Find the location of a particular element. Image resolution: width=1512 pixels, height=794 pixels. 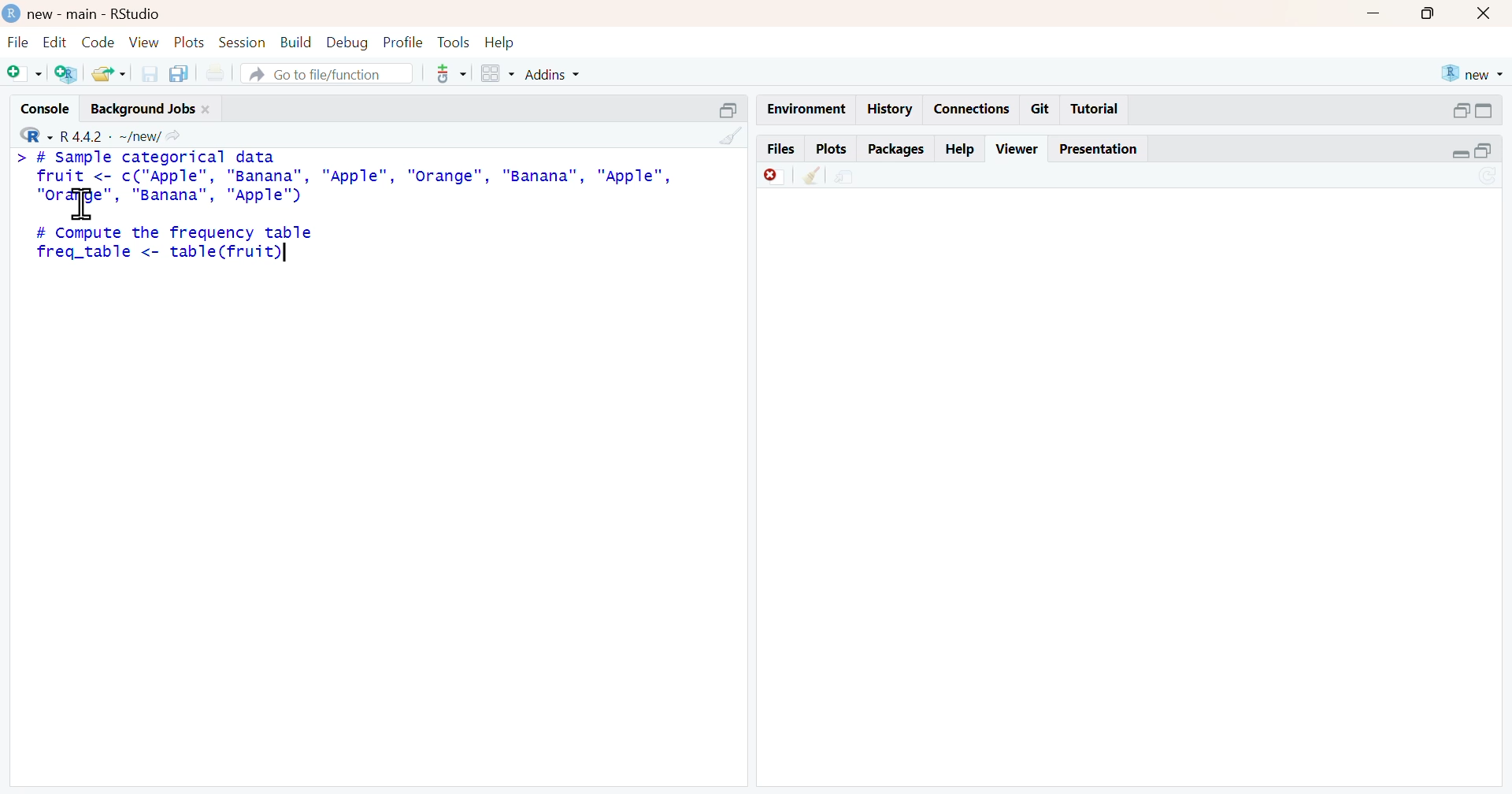

session is located at coordinates (243, 42).